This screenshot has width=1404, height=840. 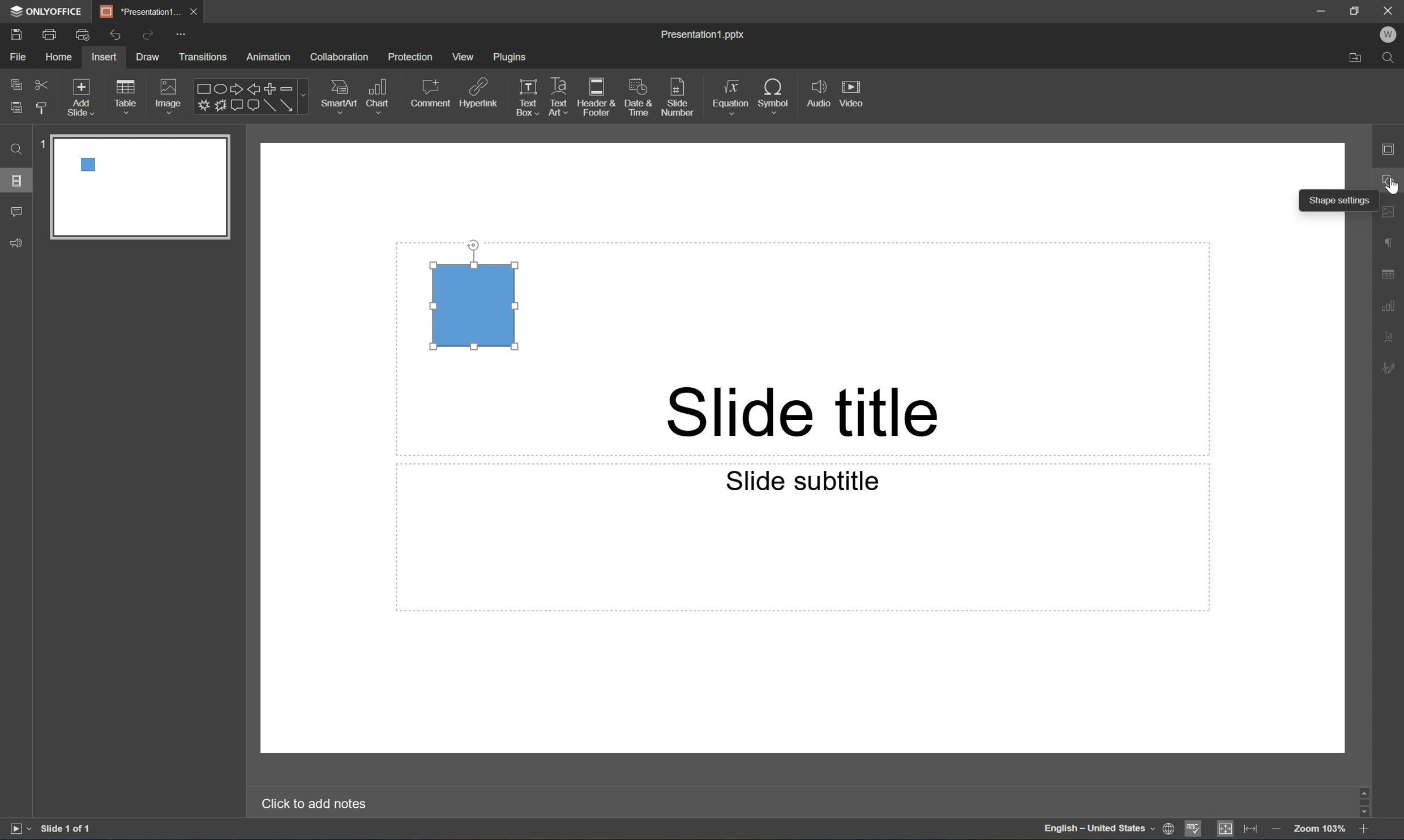 What do you see at coordinates (287, 105) in the screenshot?
I see `Arrow` at bounding box center [287, 105].